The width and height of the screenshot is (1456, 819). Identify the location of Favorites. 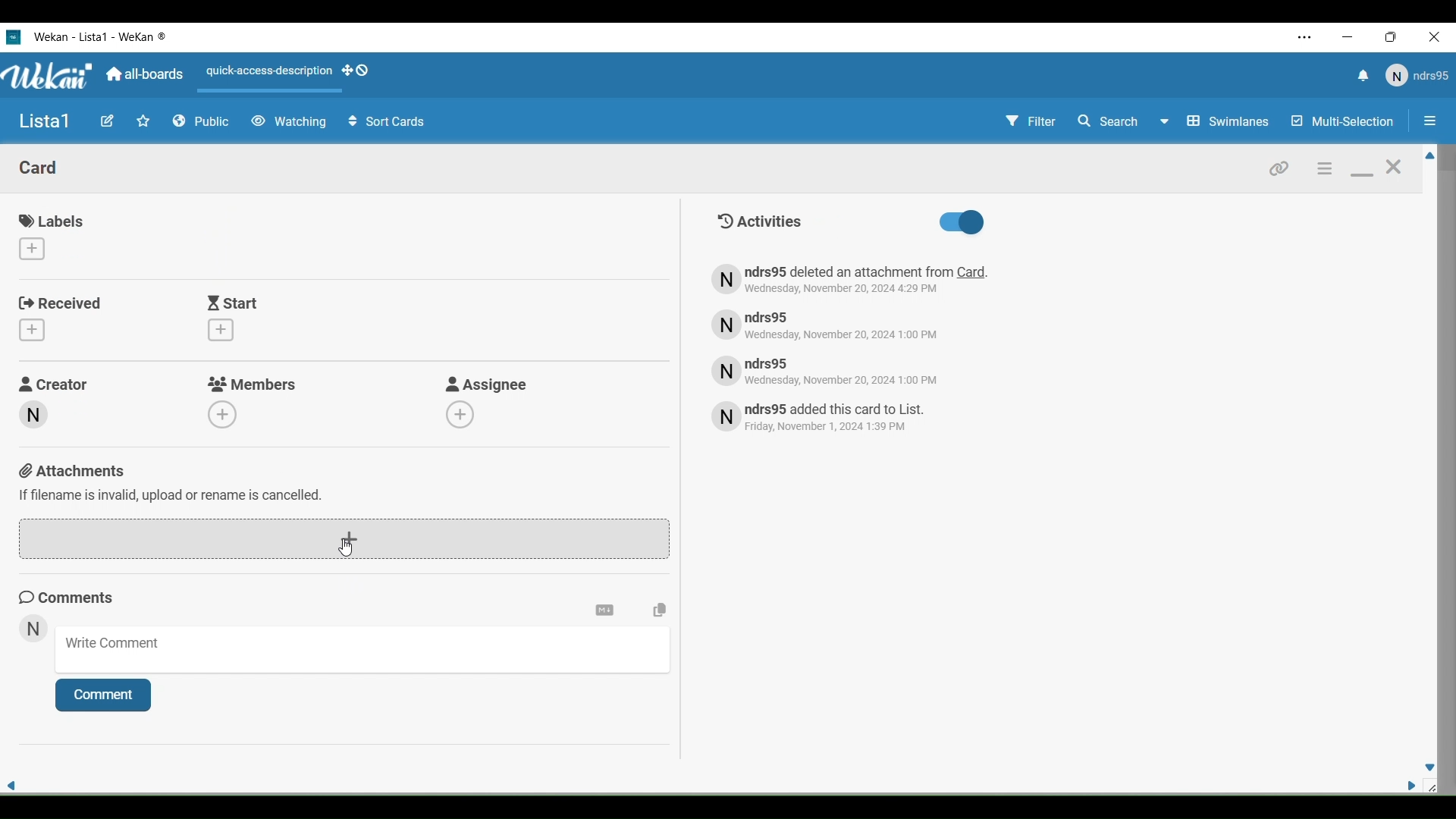
(143, 121).